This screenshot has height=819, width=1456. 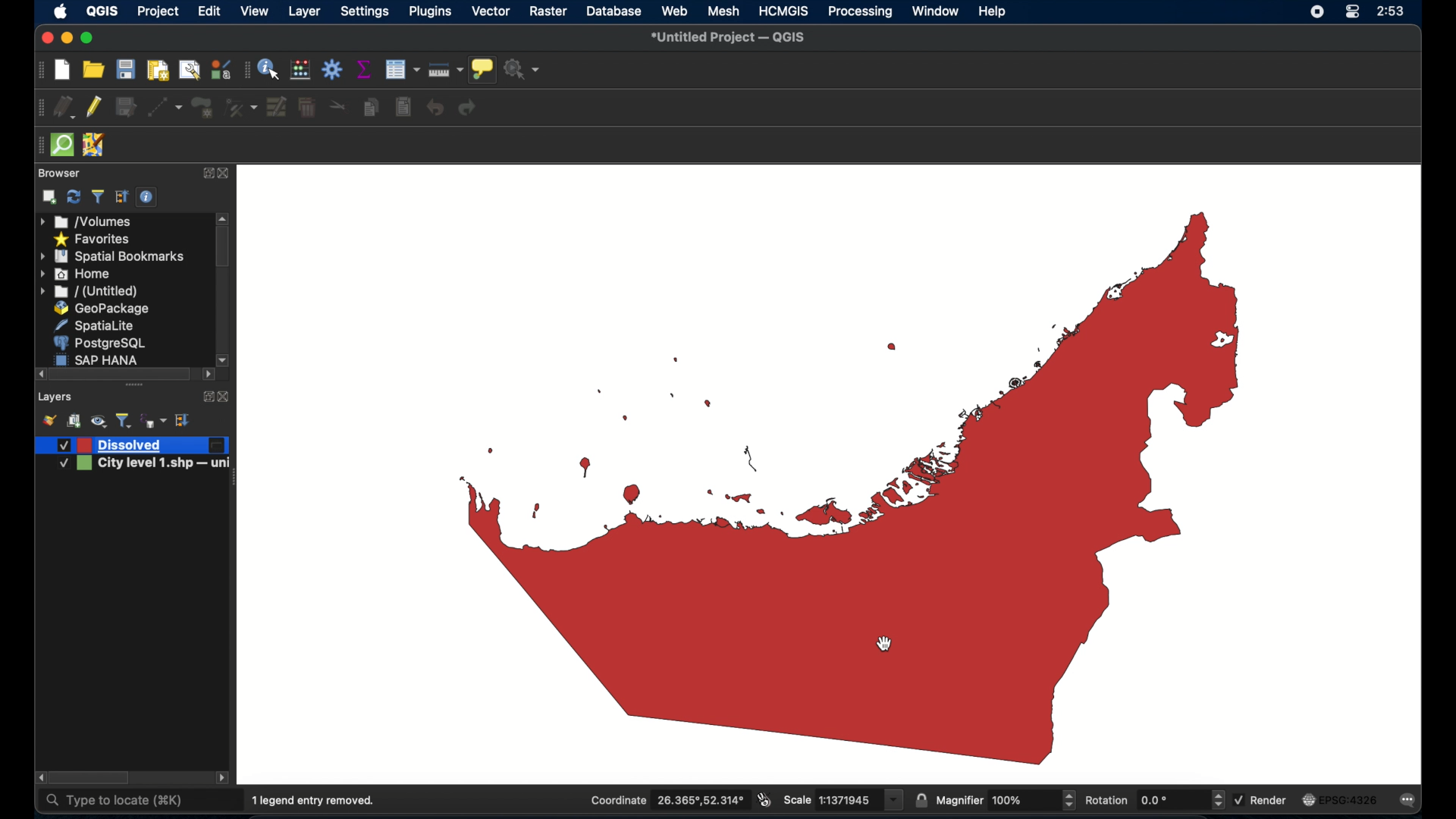 I want to click on save edits, so click(x=127, y=108).